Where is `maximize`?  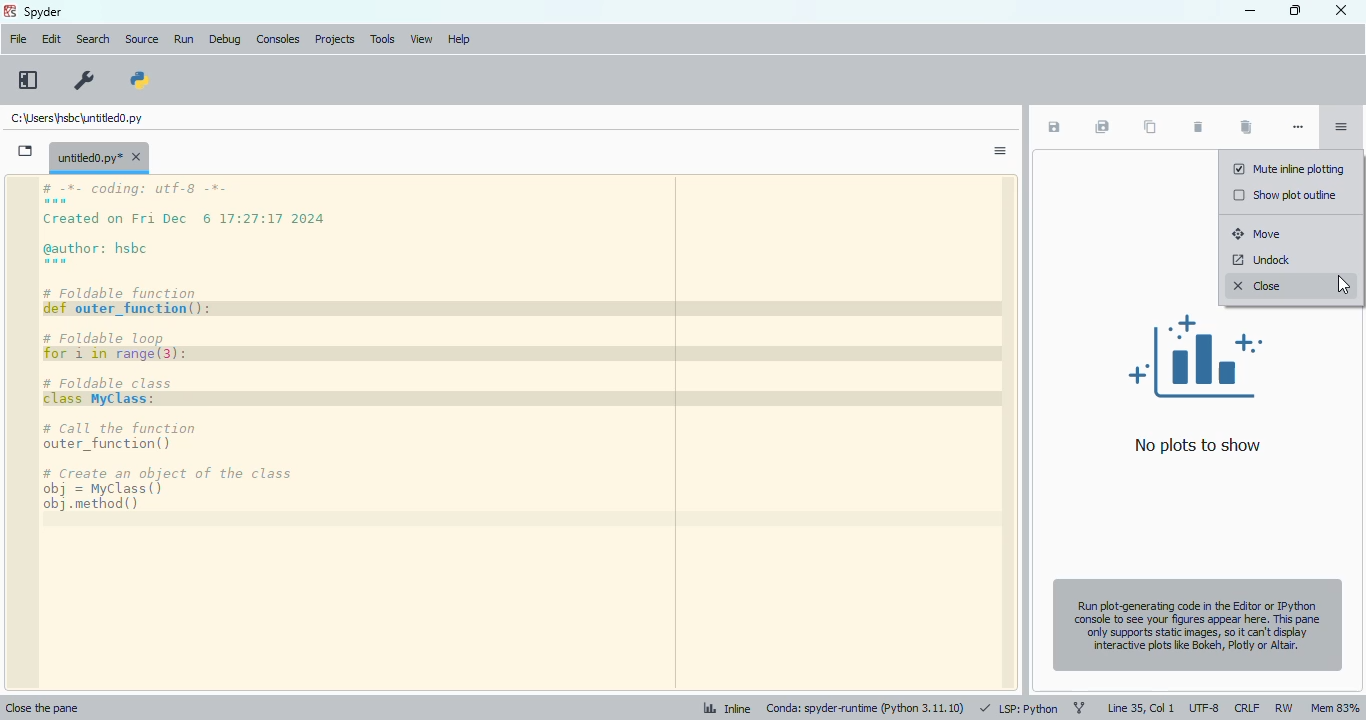 maximize is located at coordinates (1295, 10).